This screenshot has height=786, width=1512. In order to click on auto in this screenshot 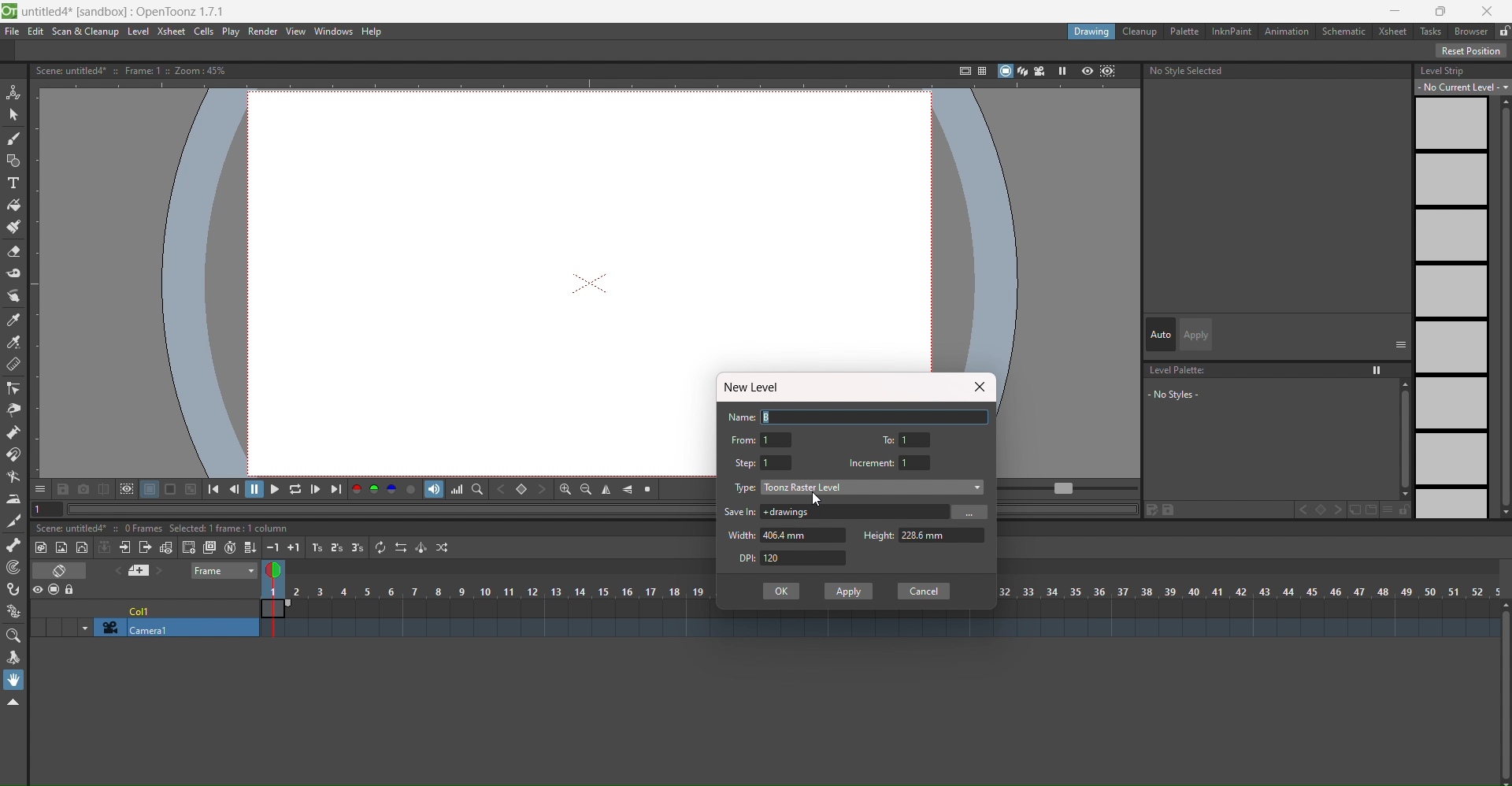, I will do `click(1161, 334)`.